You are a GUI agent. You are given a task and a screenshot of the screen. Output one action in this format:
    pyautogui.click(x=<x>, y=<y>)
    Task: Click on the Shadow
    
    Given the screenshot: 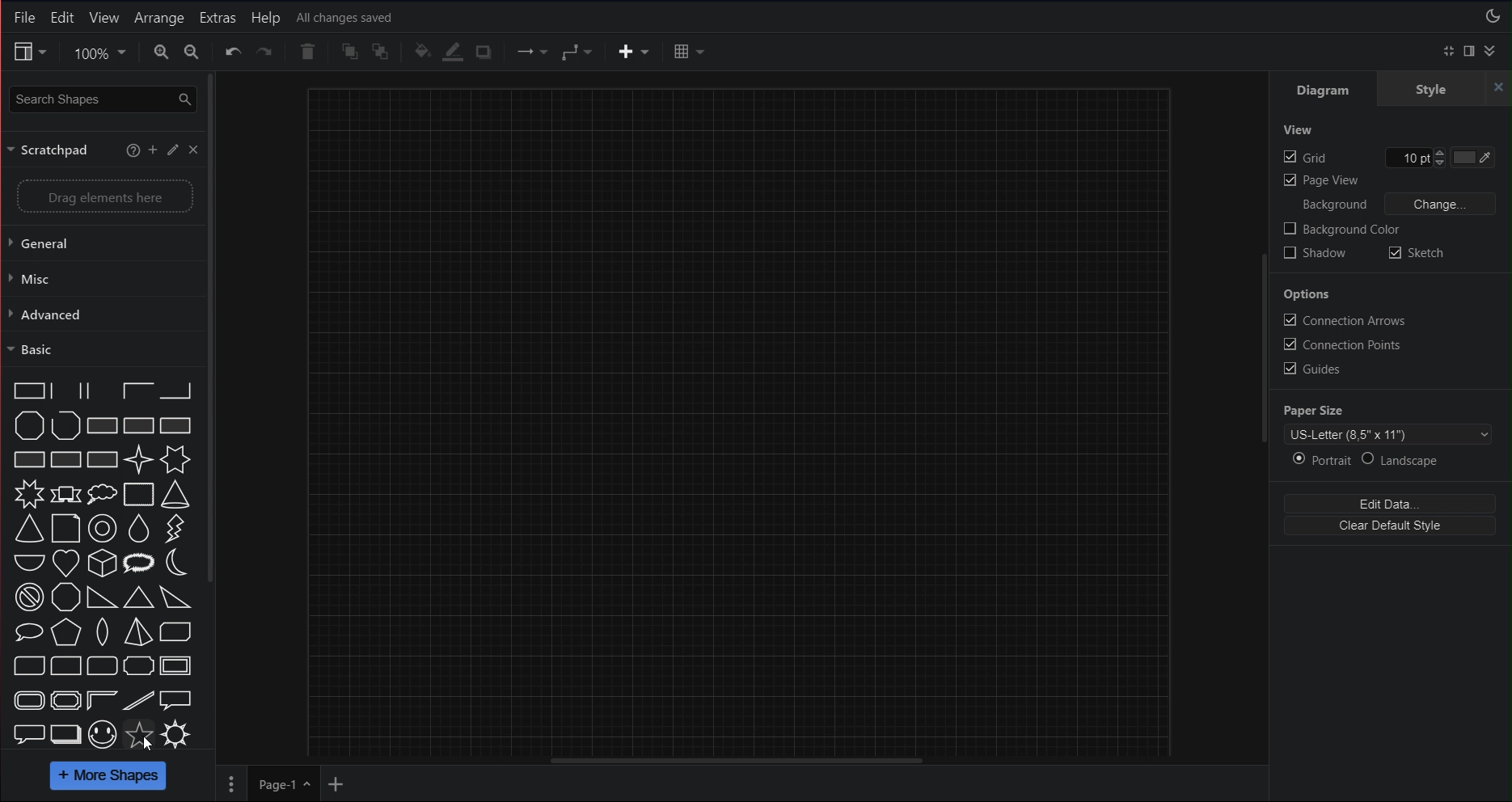 What is the action you would take?
    pyautogui.click(x=1316, y=252)
    